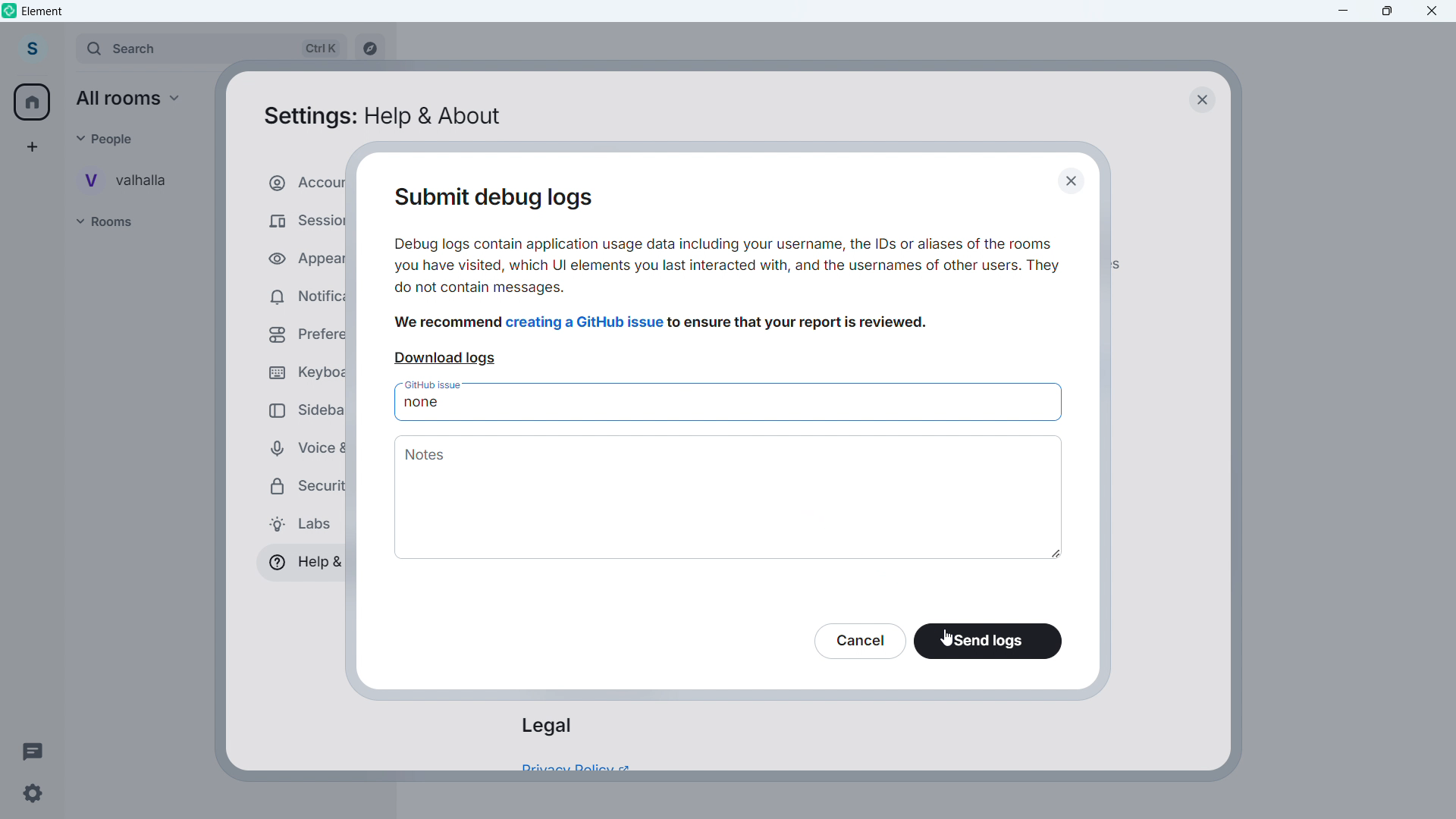 This screenshot has width=1456, height=819. Describe the element at coordinates (134, 99) in the screenshot. I see `All Rooms` at that location.